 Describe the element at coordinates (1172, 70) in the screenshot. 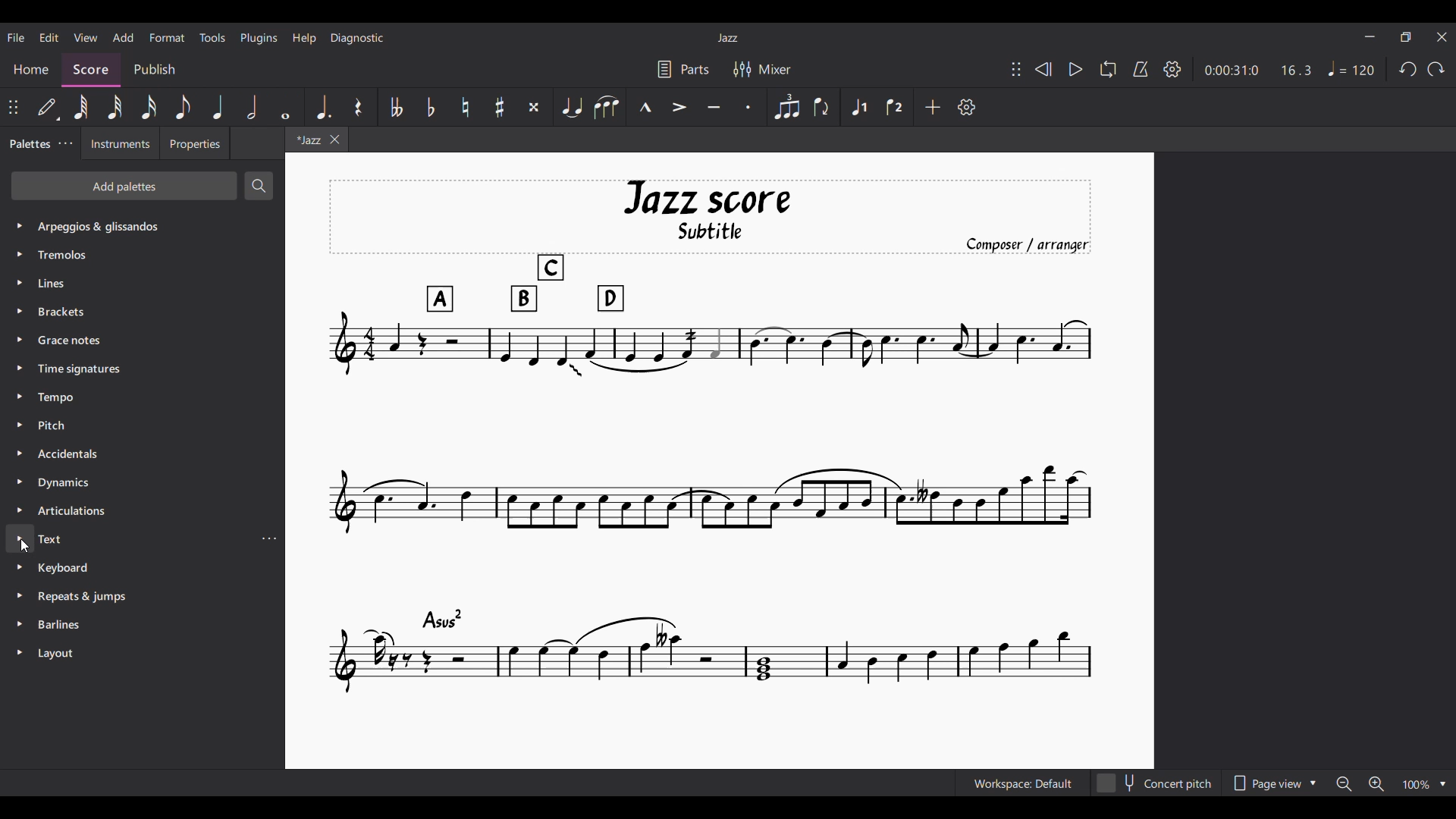

I see `Settings` at that location.